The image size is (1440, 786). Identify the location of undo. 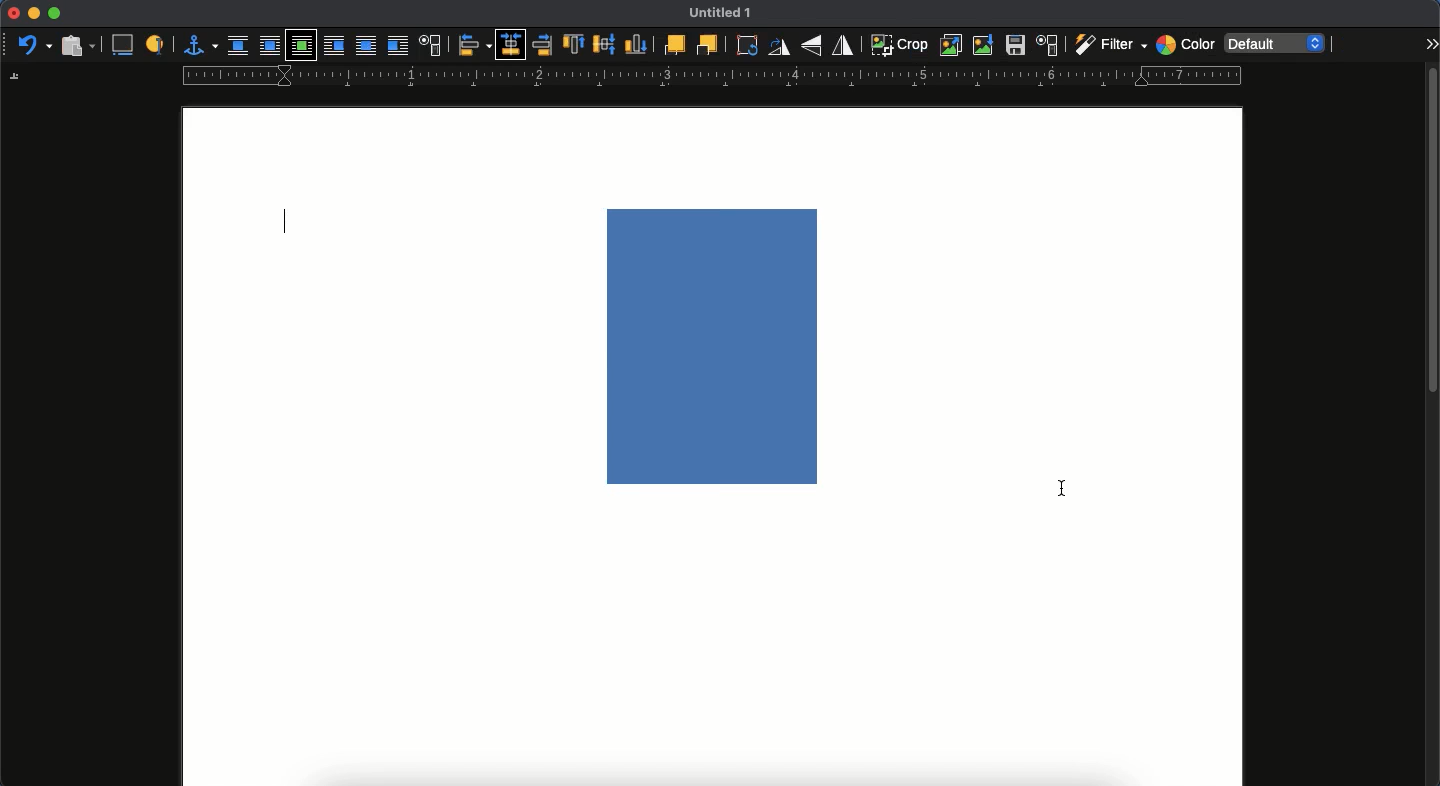
(33, 46).